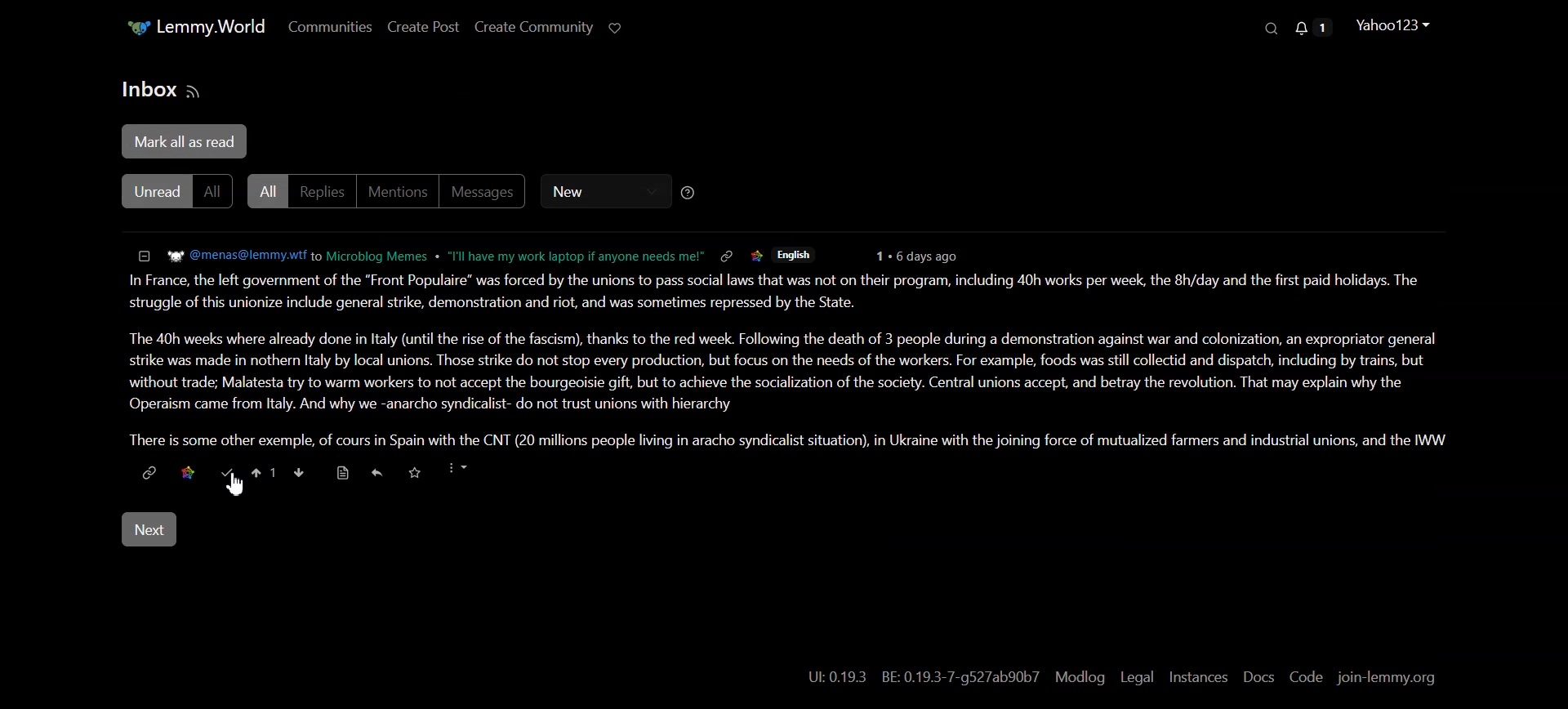 The image size is (1568, 709). Describe the element at coordinates (185, 140) in the screenshot. I see `Mark all as read` at that location.